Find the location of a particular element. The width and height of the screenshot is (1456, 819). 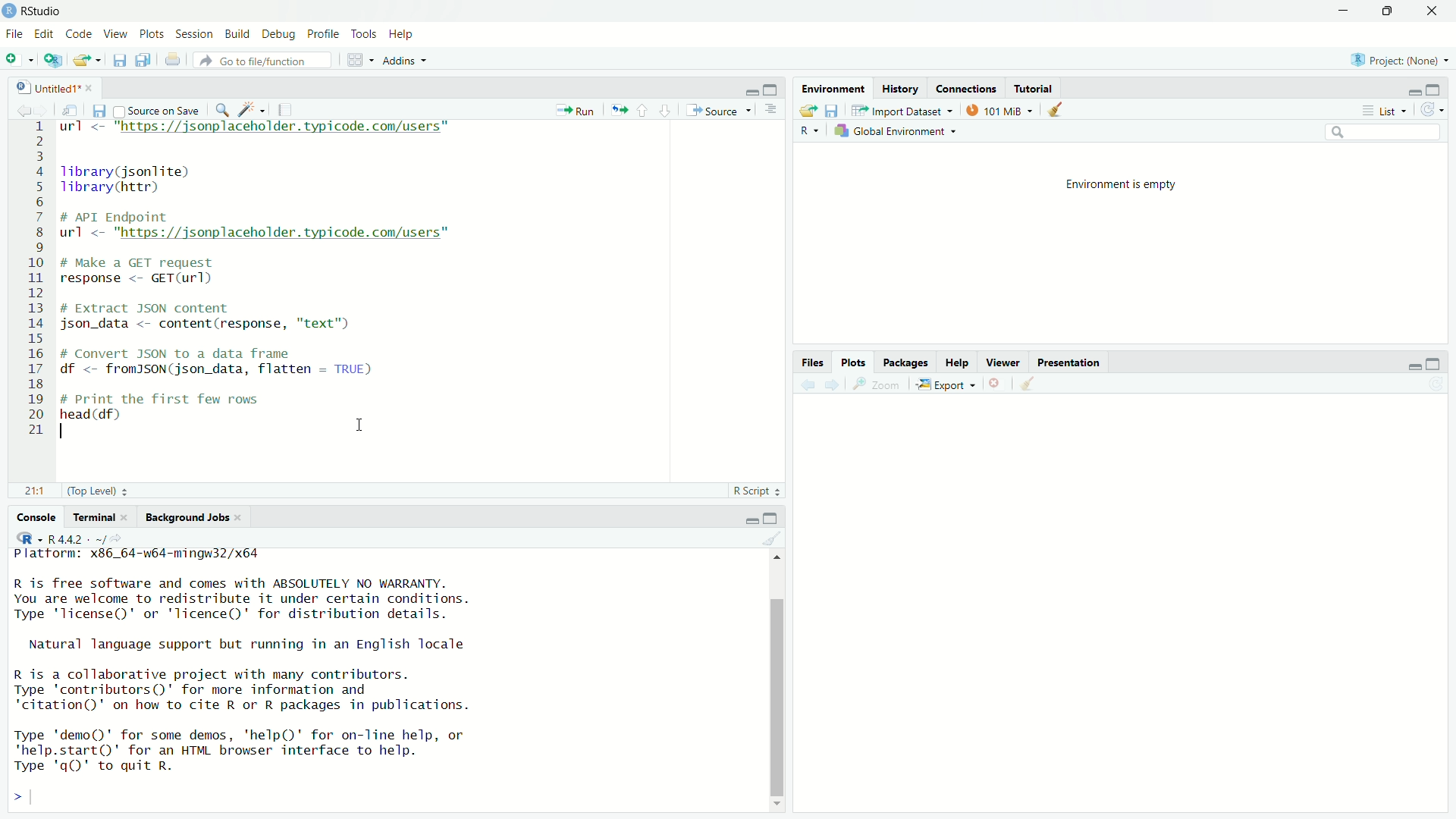

Natural language support but running in an English locale is located at coordinates (249, 645).